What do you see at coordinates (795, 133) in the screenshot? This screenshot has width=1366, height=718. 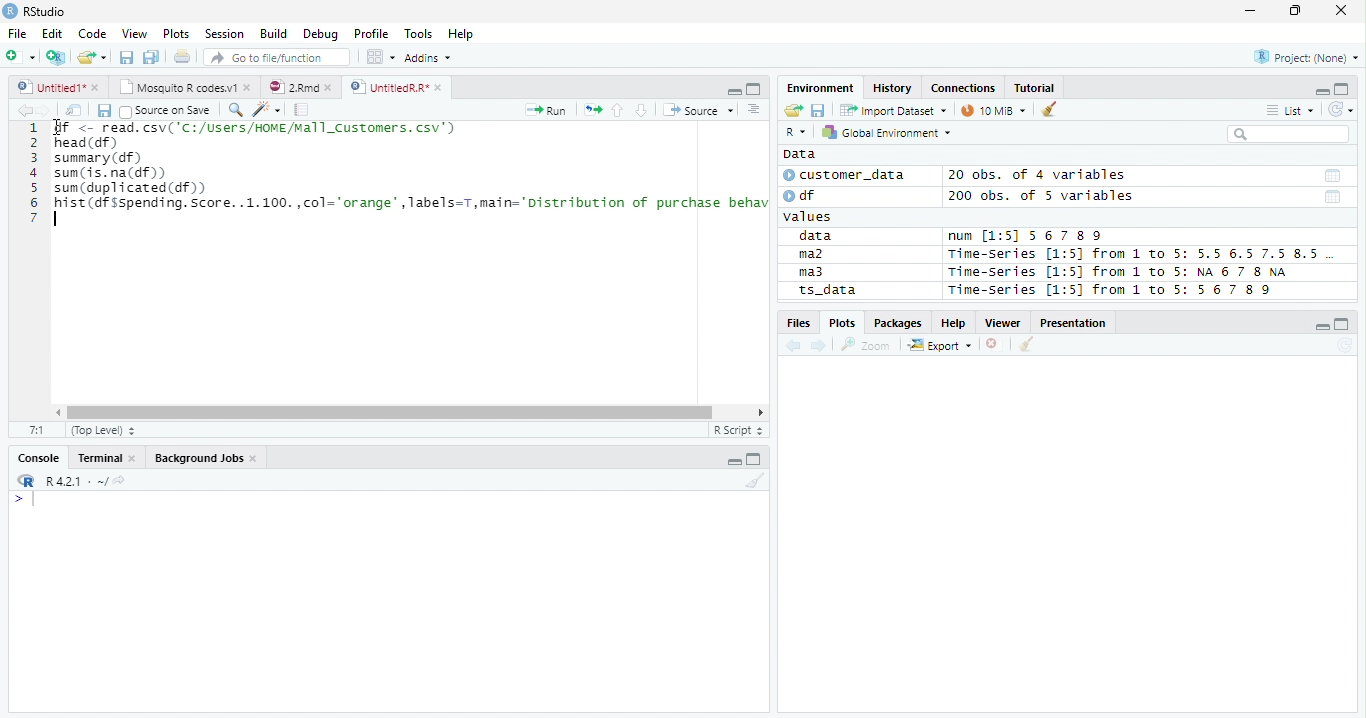 I see `R` at bounding box center [795, 133].